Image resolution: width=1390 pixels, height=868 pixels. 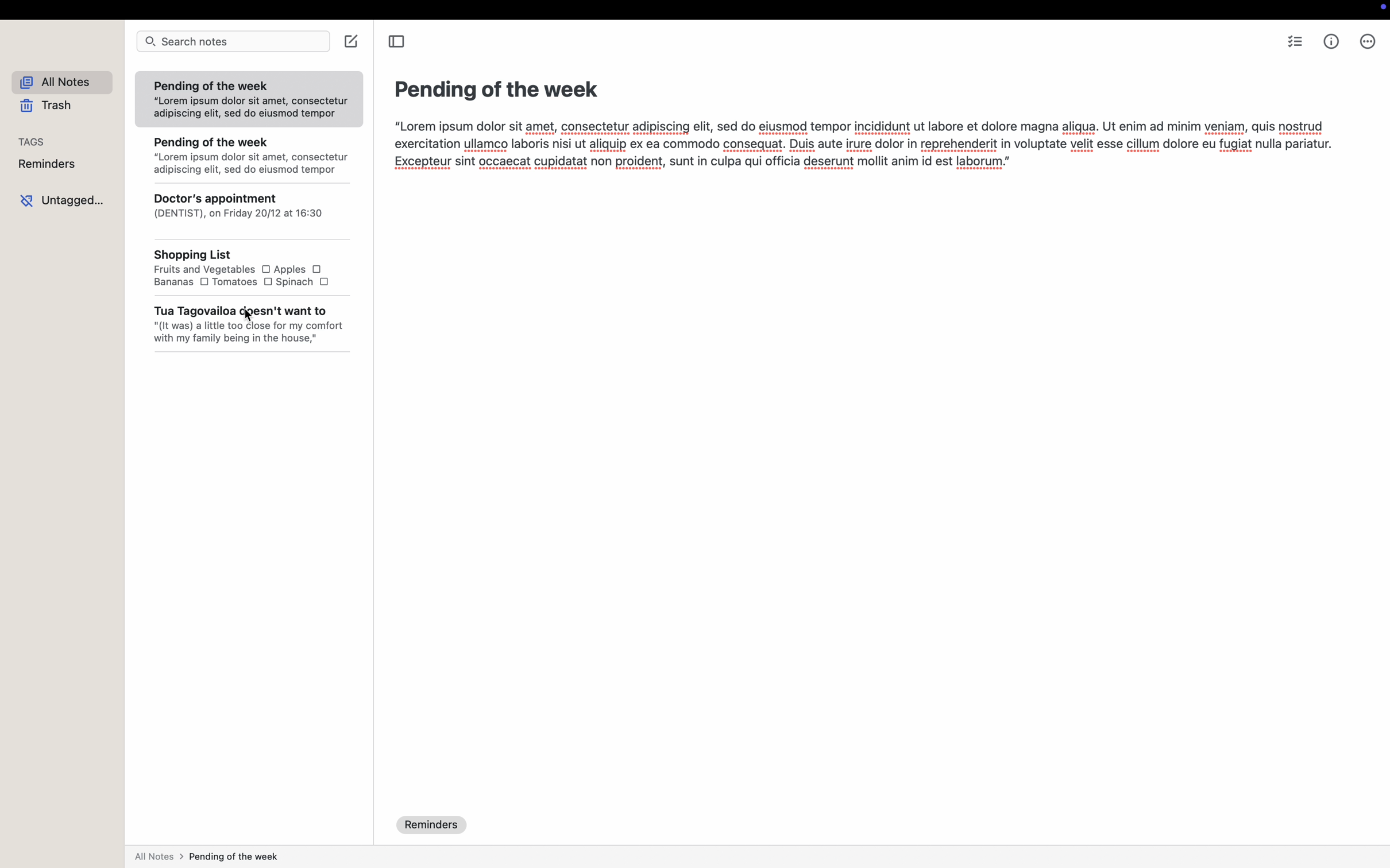 I want to click on all notes > pending of the week, so click(x=211, y=857).